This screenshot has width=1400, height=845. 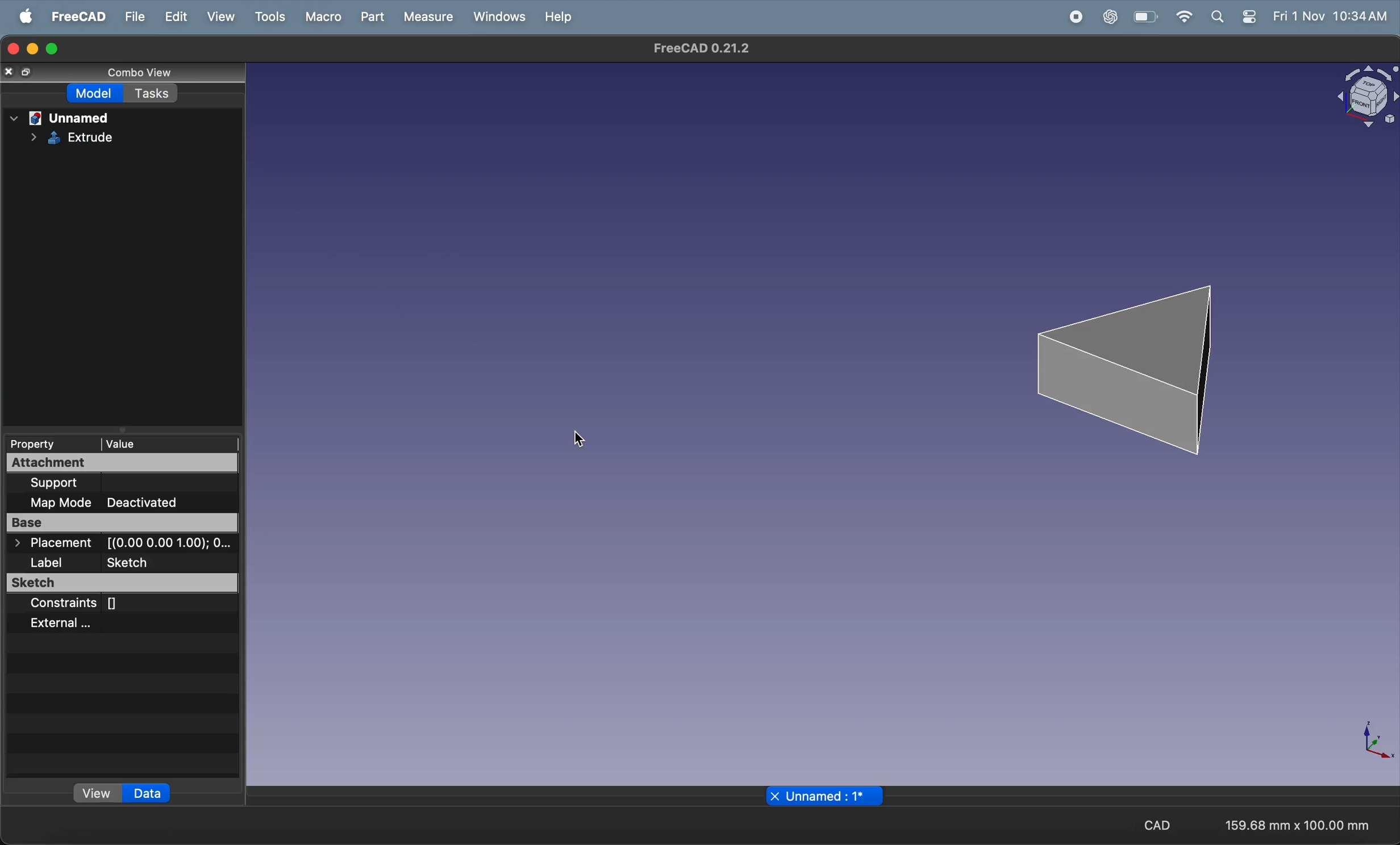 What do you see at coordinates (78, 16) in the screenshot?
I see `freecad` at bounding box center [78, 16].